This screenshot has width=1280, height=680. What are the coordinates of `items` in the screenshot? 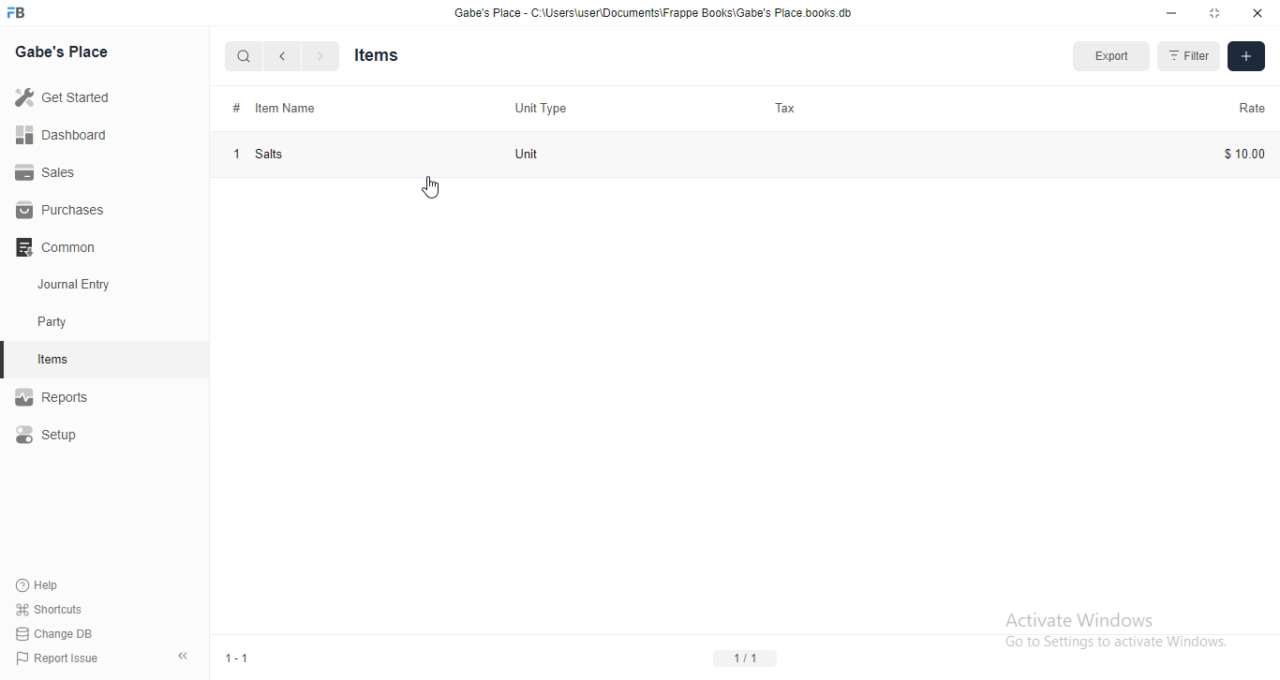 It's located at (54, 361).